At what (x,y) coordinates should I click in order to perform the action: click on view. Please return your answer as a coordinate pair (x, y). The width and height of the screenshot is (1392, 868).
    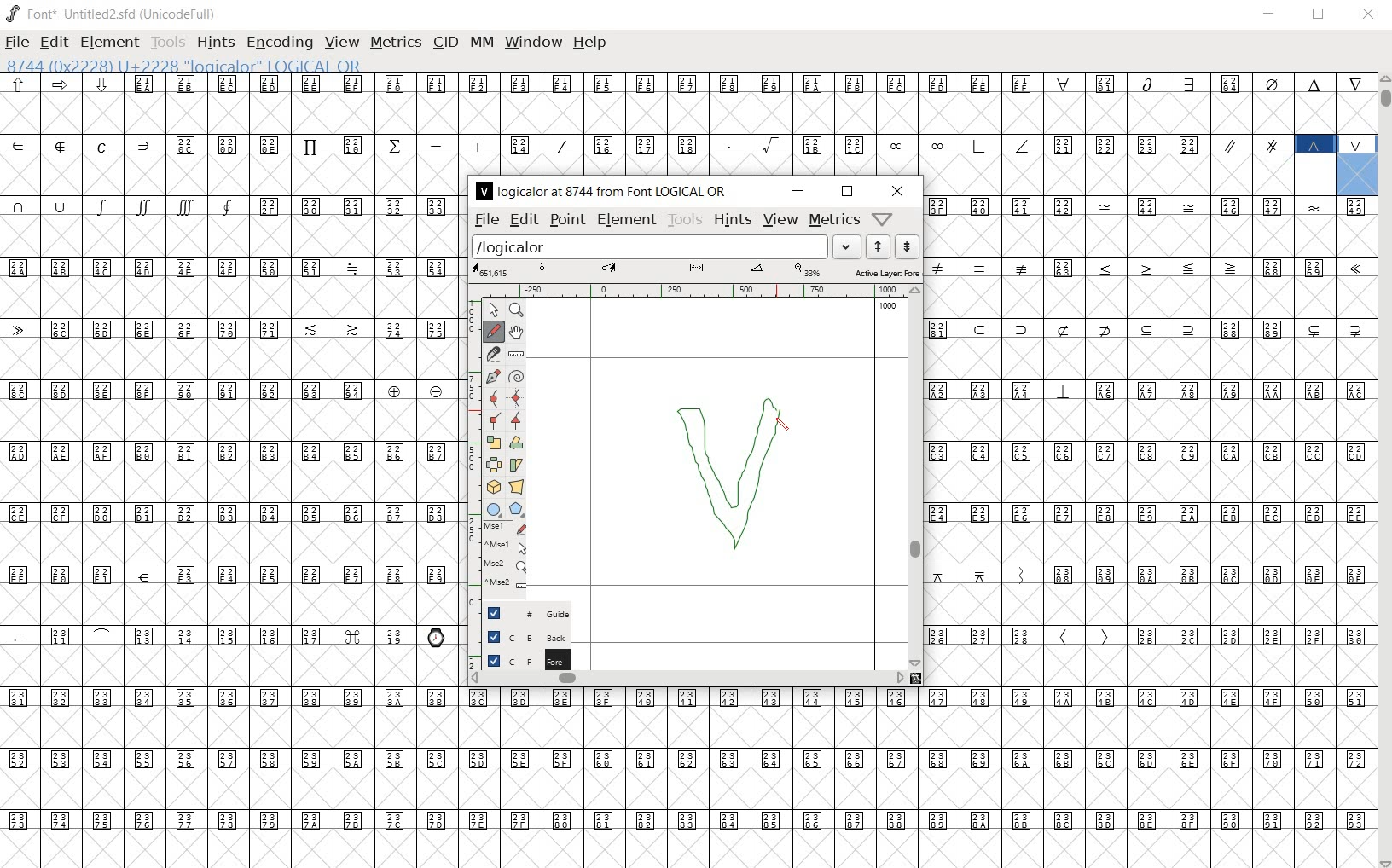
    Looking at the image, I should click on (780, 220).